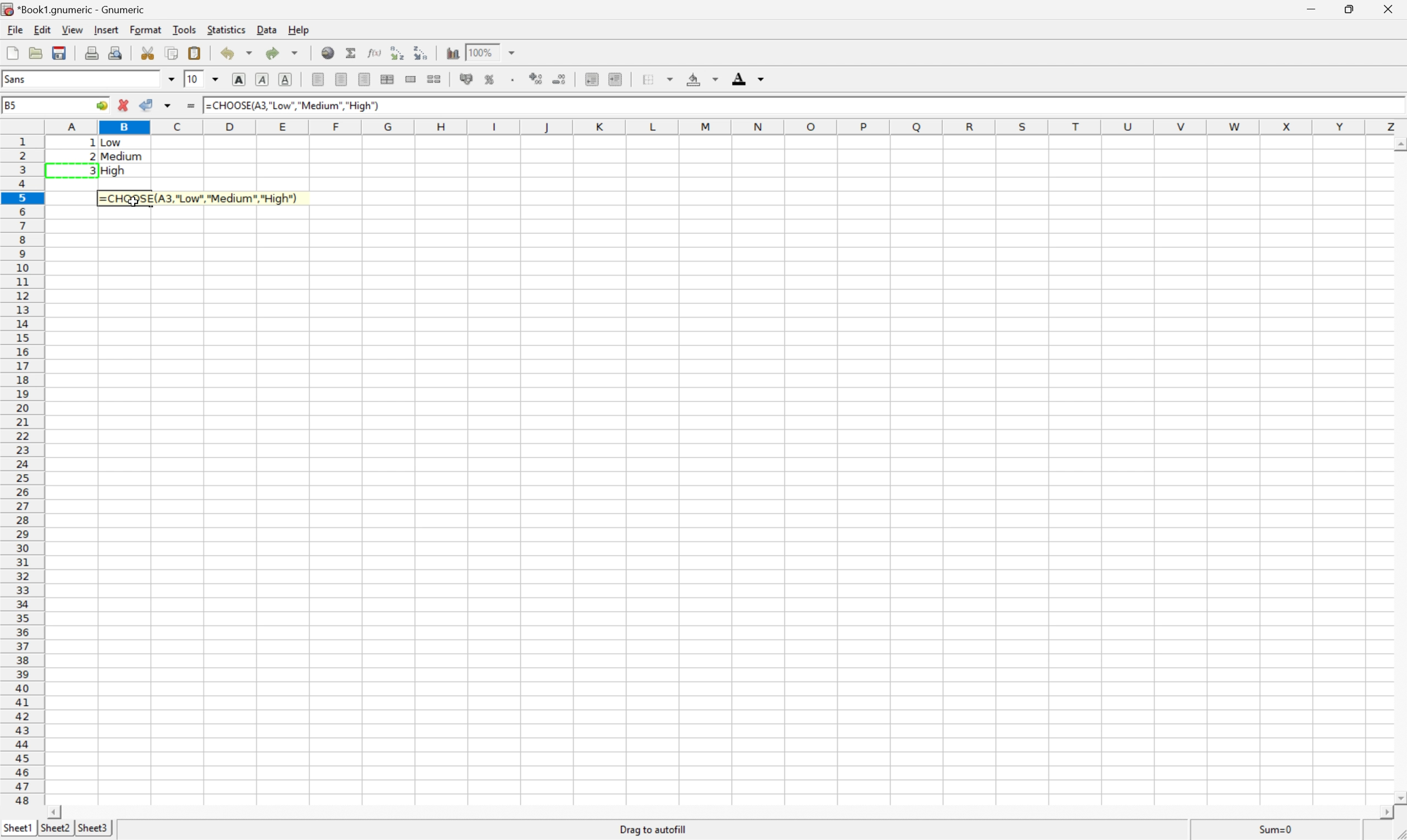 The width and height of the screenshot is (1407, 840). What do you see at coordinates (537, 79) in the screenshot?
I see `Increase the number of Decimals displayed` at bounding box center [537, 79].